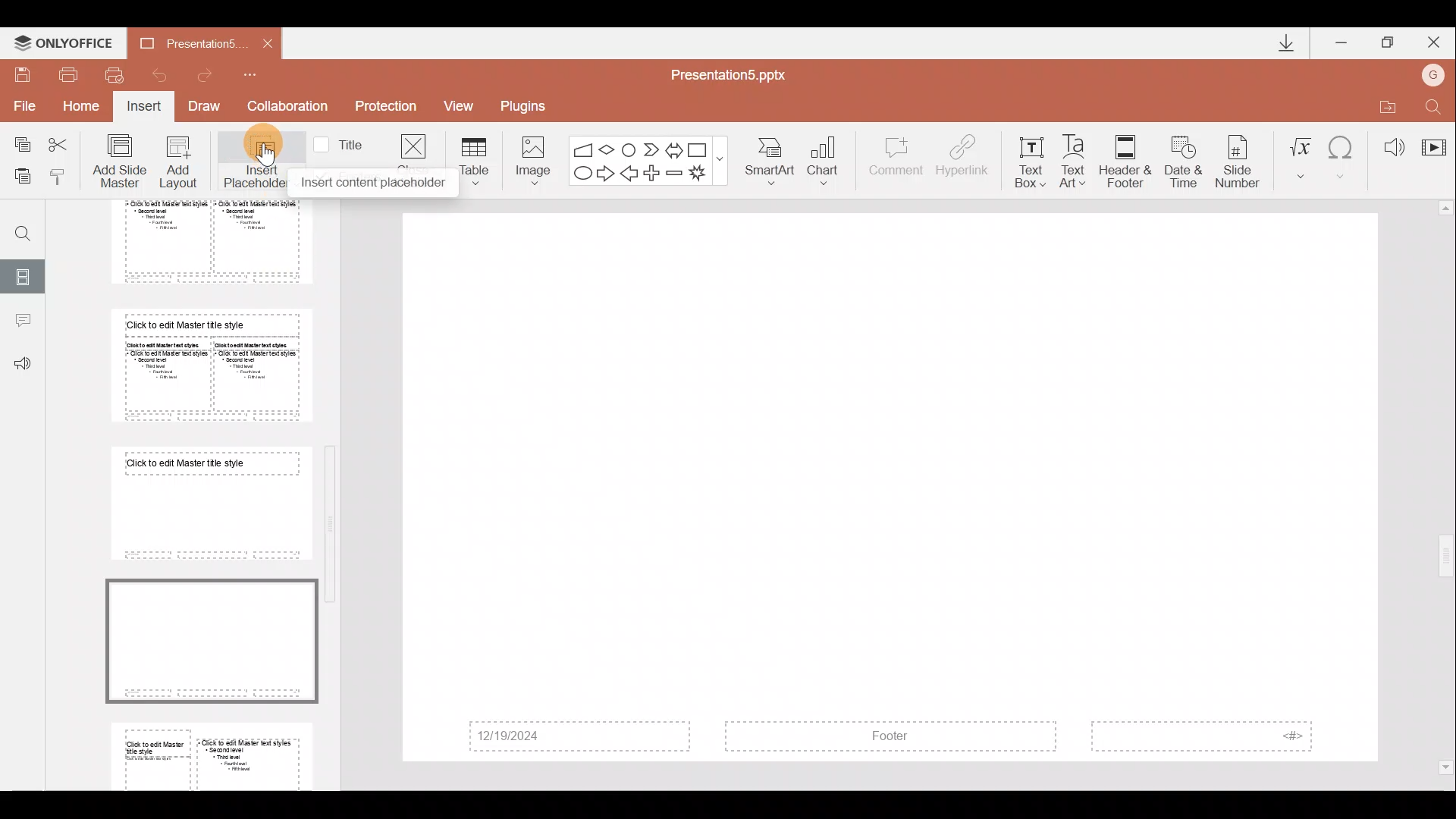 The image size is (1456, 819). I want to click on Flow chart-decision, so click(609, 149).